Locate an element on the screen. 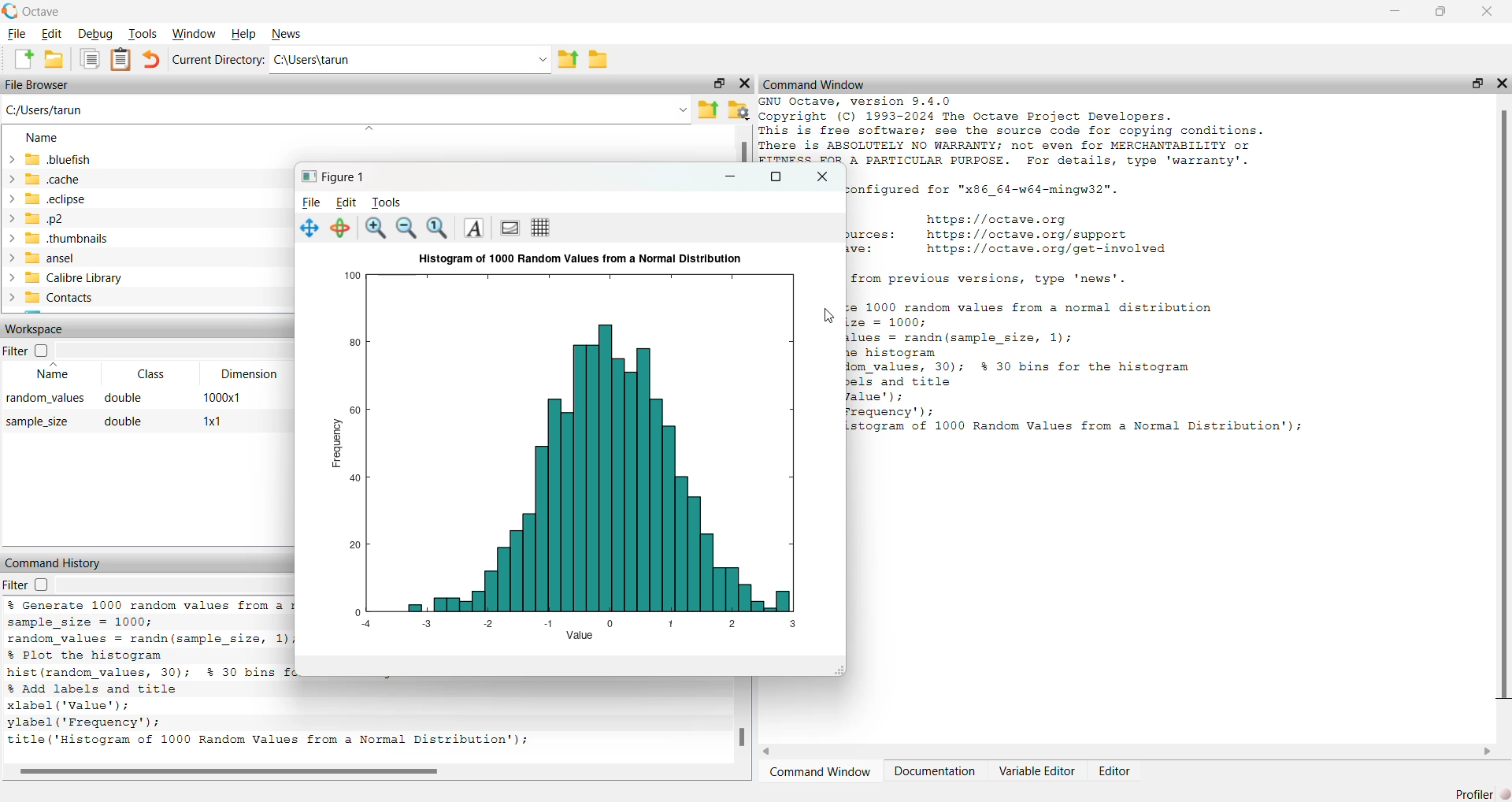  from previous versions, type 'news'.

e 1000 random values from a normal distribution

ze = 1000;

lues = randn(sample_size, 1);

e histogram

om values, 30); % 30 bins for the histogram

els and title

alue');

requency');

stogram of 1000 Random Values from a Normal Distribution'); is located at coordinates (1081, 356).